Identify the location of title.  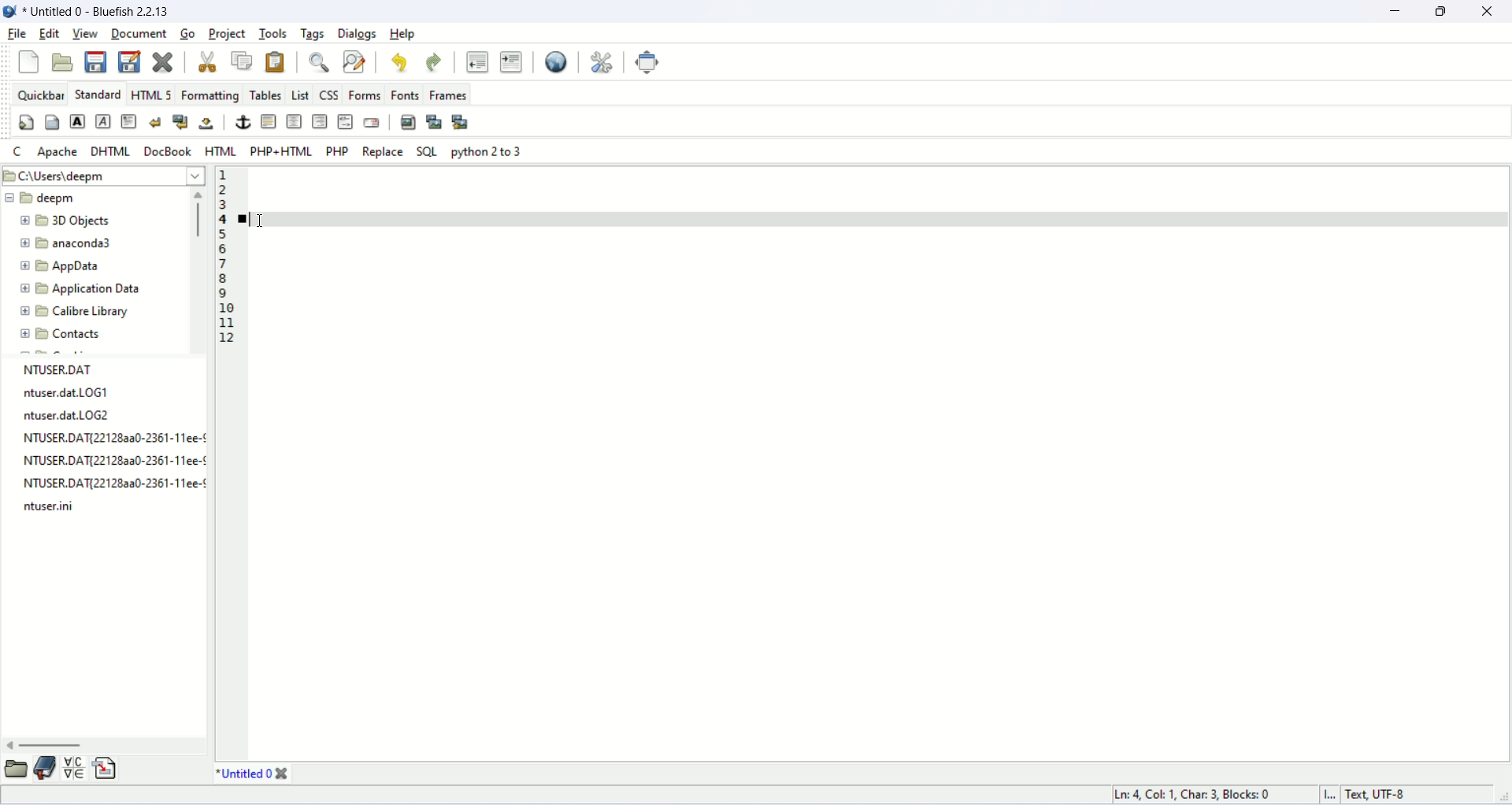
(253, 773).